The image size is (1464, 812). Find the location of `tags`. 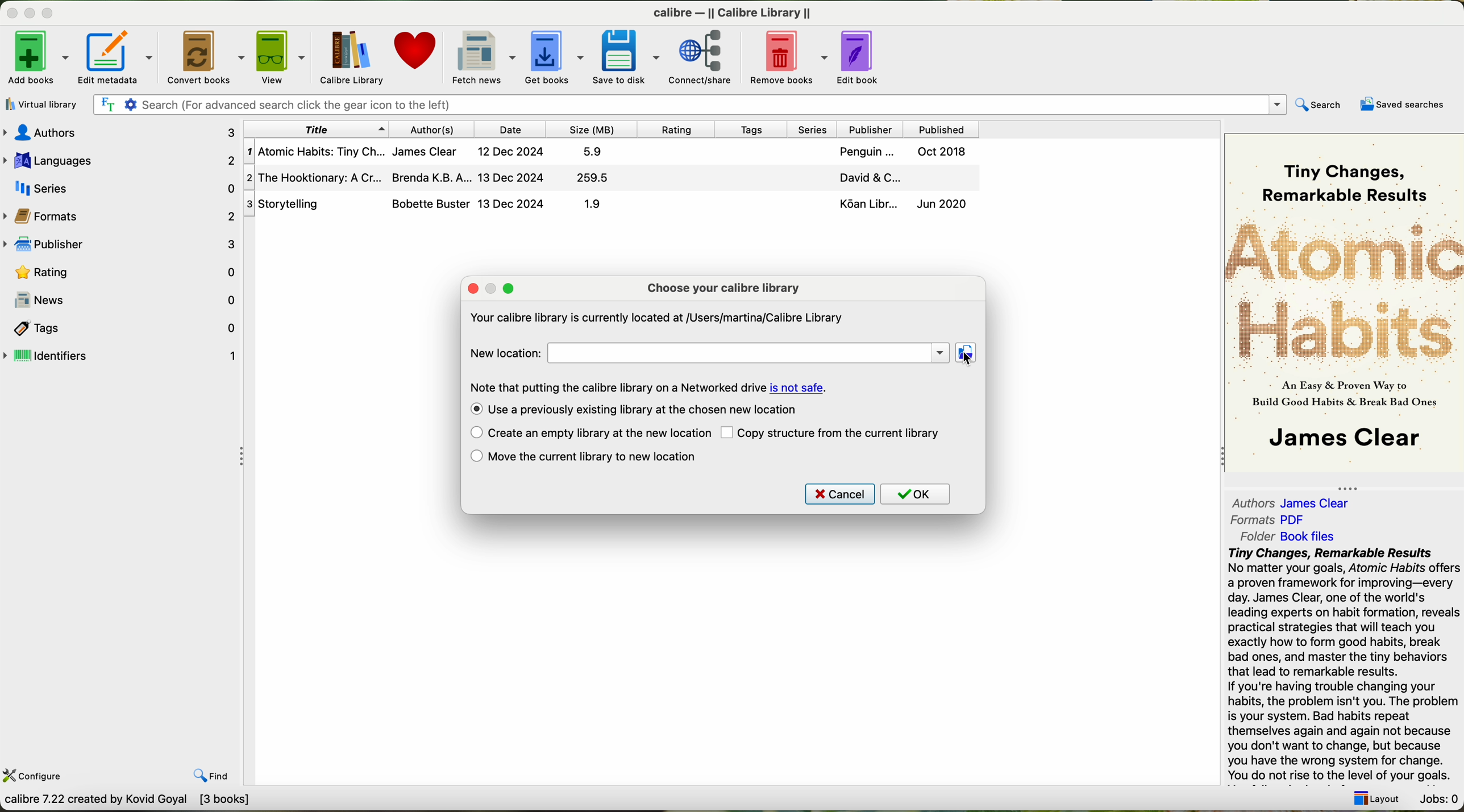

tags is located at coordinates (121, 328).